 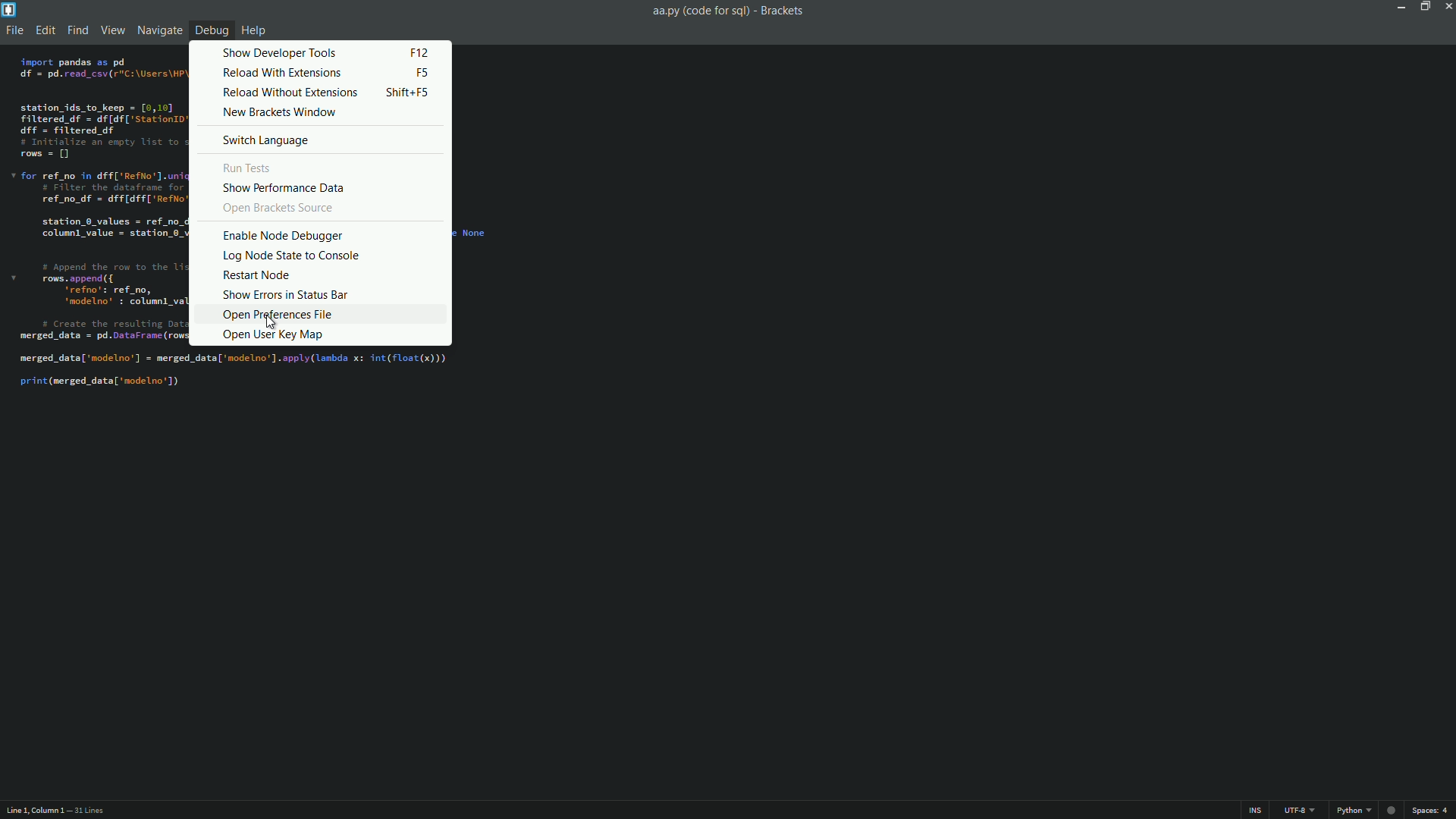 I want to click on minimize, so click(x=1399, y=7).